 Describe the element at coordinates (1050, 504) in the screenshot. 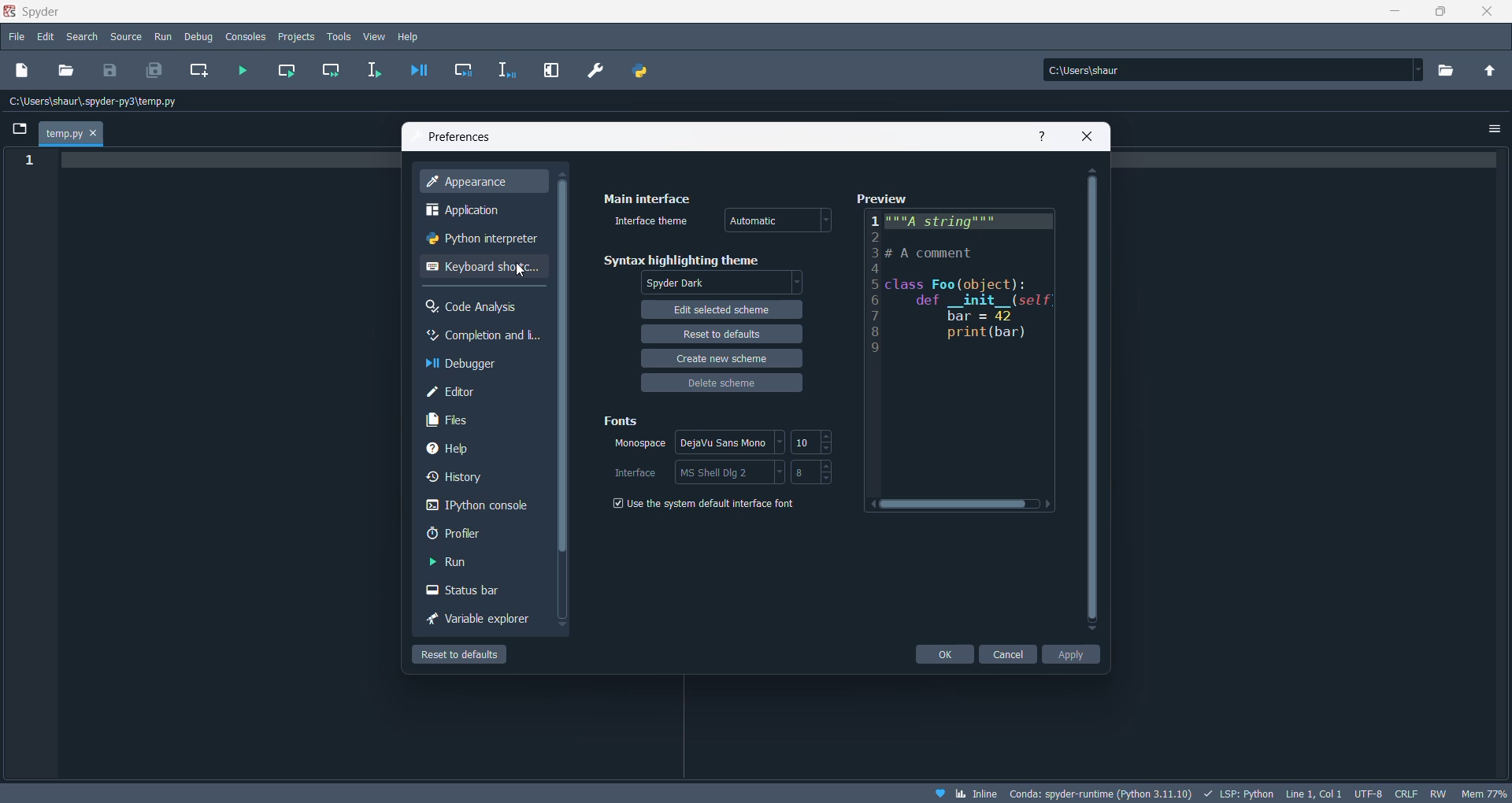

I see `move right` at that location.